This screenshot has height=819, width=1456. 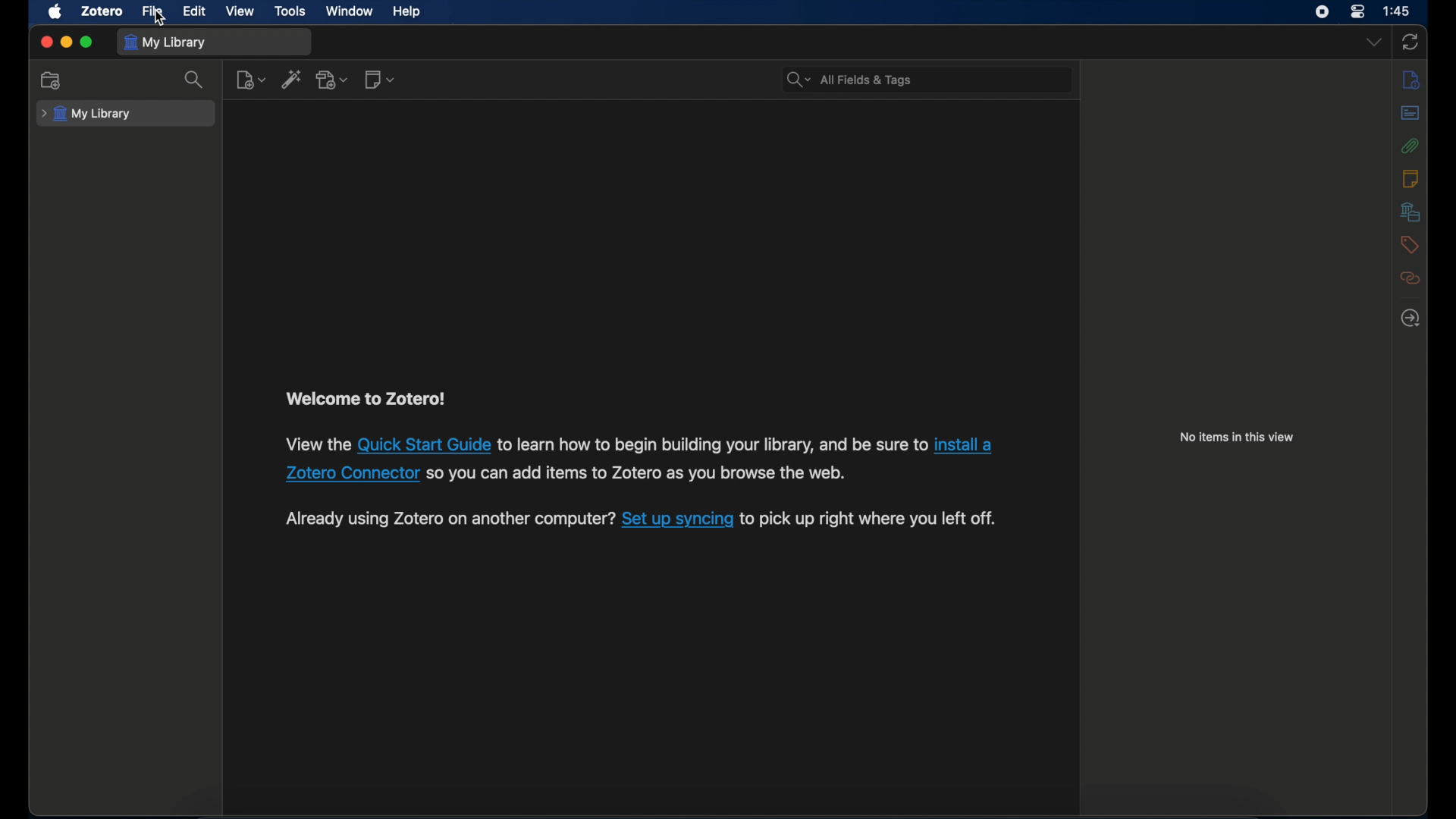 What do you see at coordinates (1357, 11) in the screenshot?
I see `control center` at bounding box center [1357, 11].